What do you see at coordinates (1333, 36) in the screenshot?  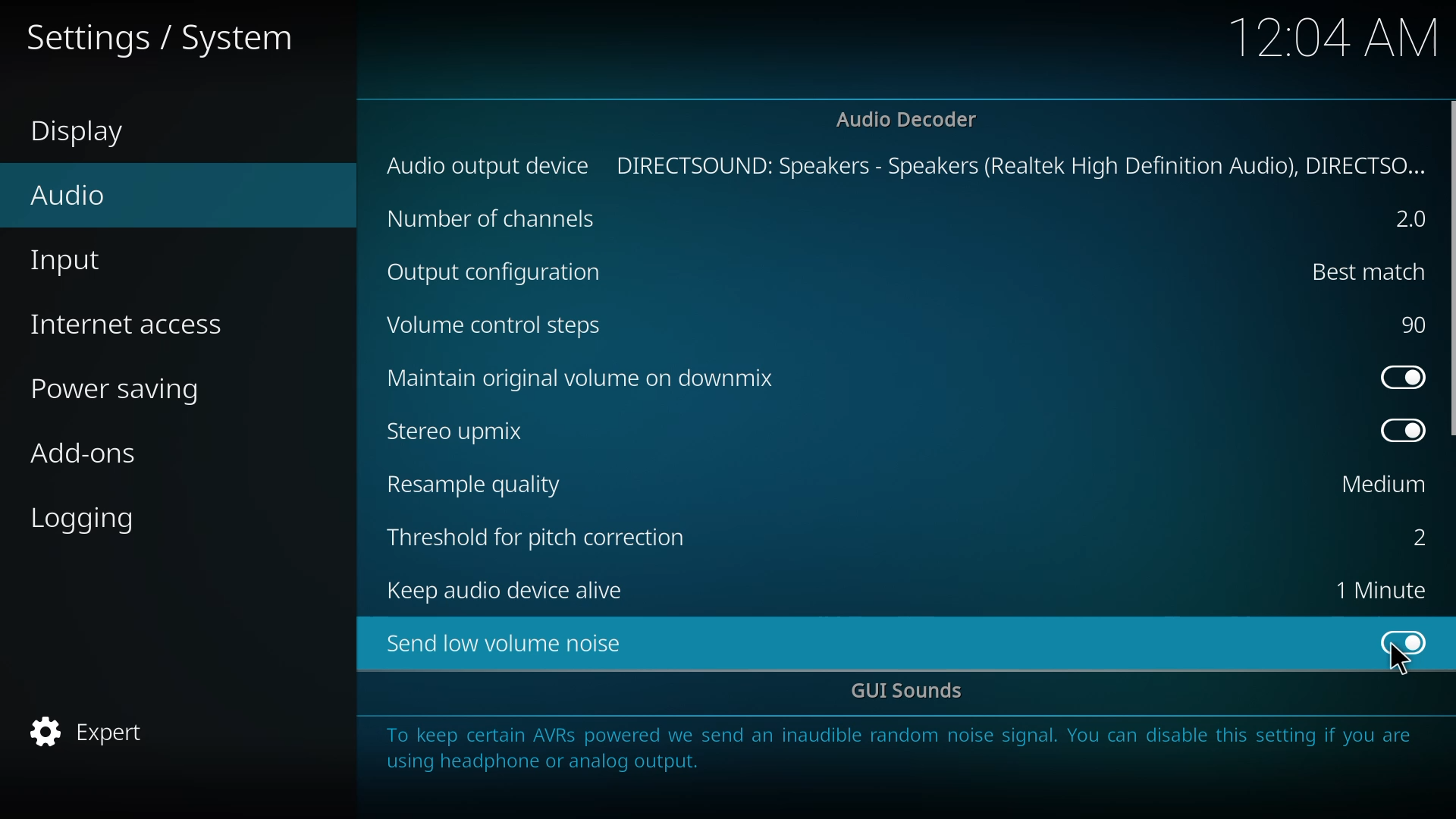 I see `time` at bounding box center [1333, 36].